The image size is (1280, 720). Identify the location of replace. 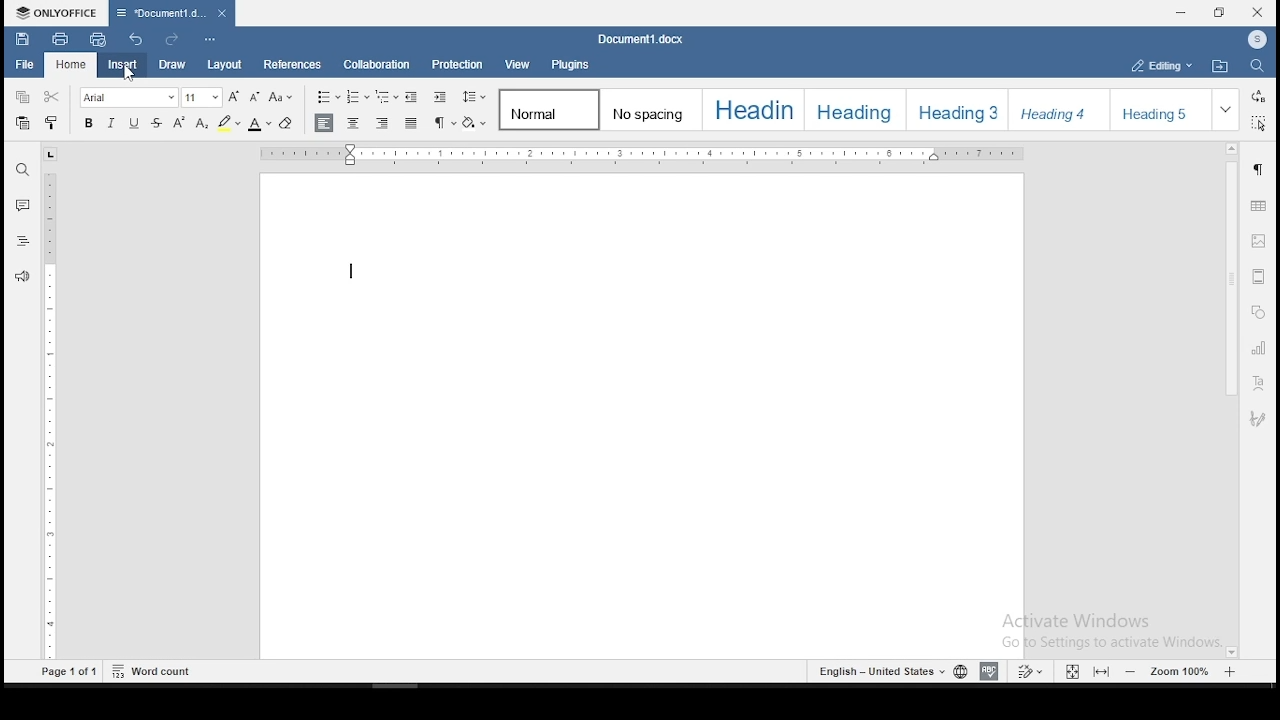
(1259, 97).